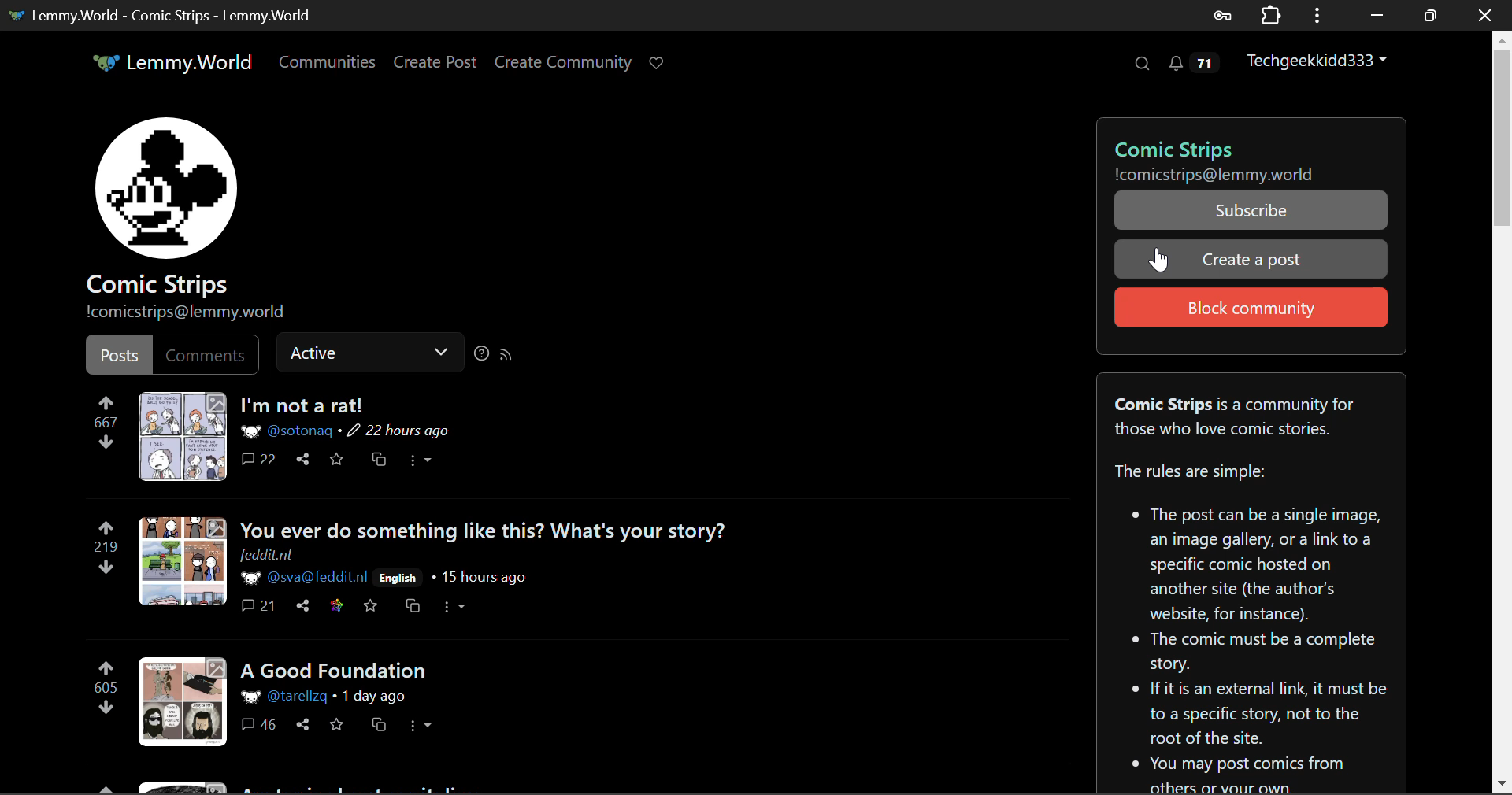 This screenshot has height=795, width=1512. What do you see at coordinates (306, 405) in the screenshot?
I see `I'm not a rat!` at bounding box center [306, 405].